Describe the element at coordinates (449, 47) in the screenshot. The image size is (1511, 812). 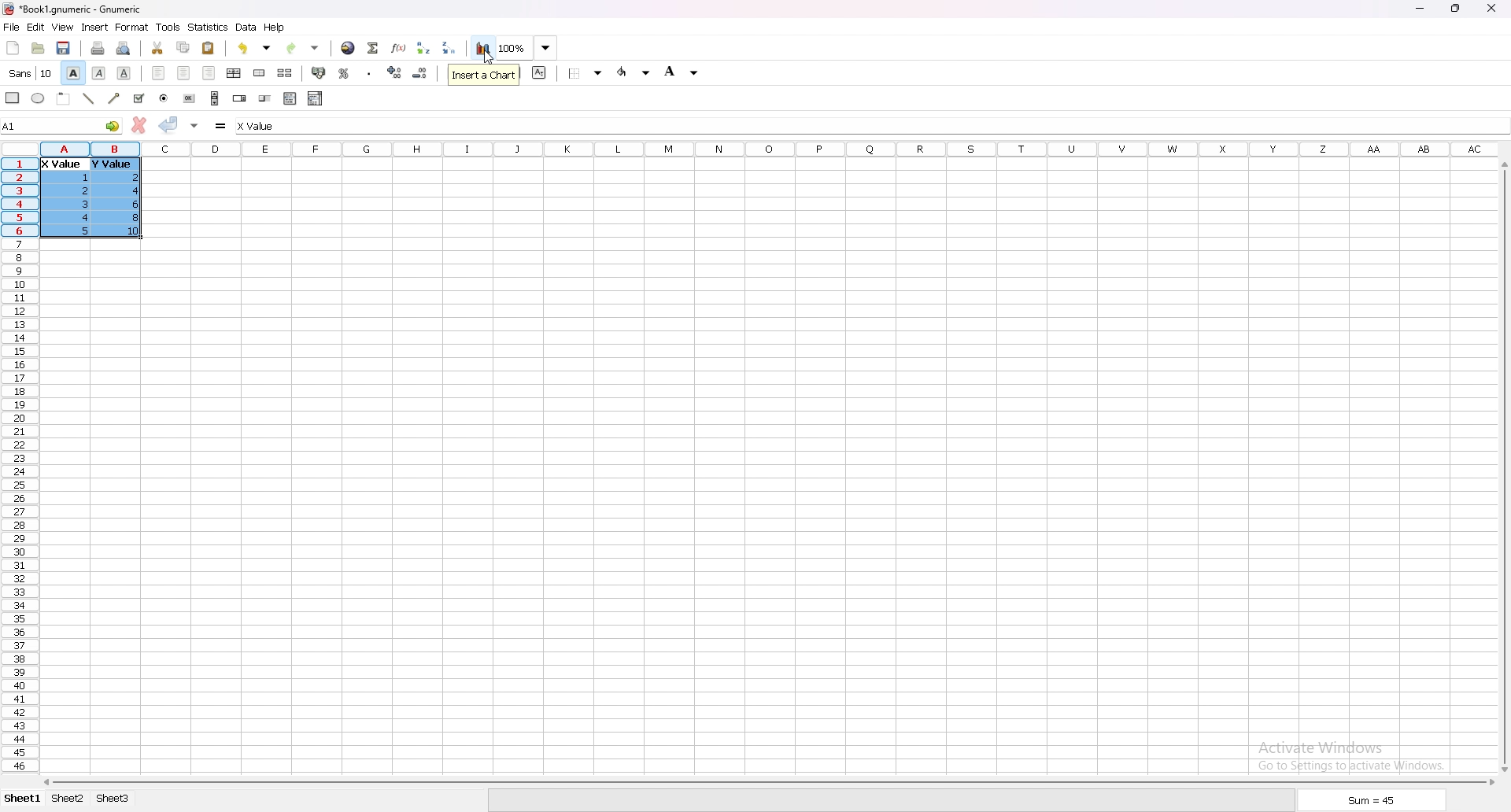
I see `sort descending` at that location.